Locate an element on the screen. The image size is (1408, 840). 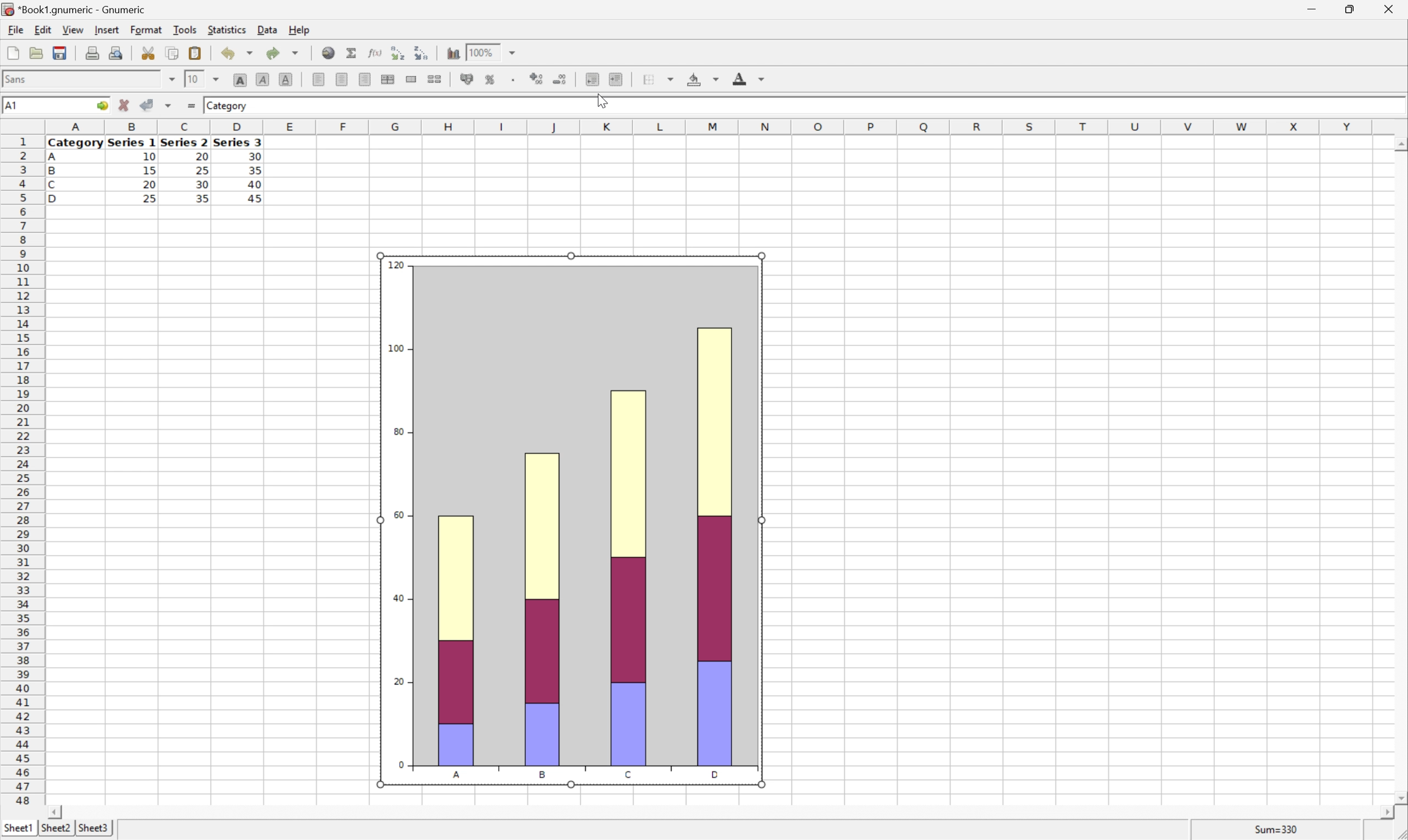
D is located at coordinates (58, 199).